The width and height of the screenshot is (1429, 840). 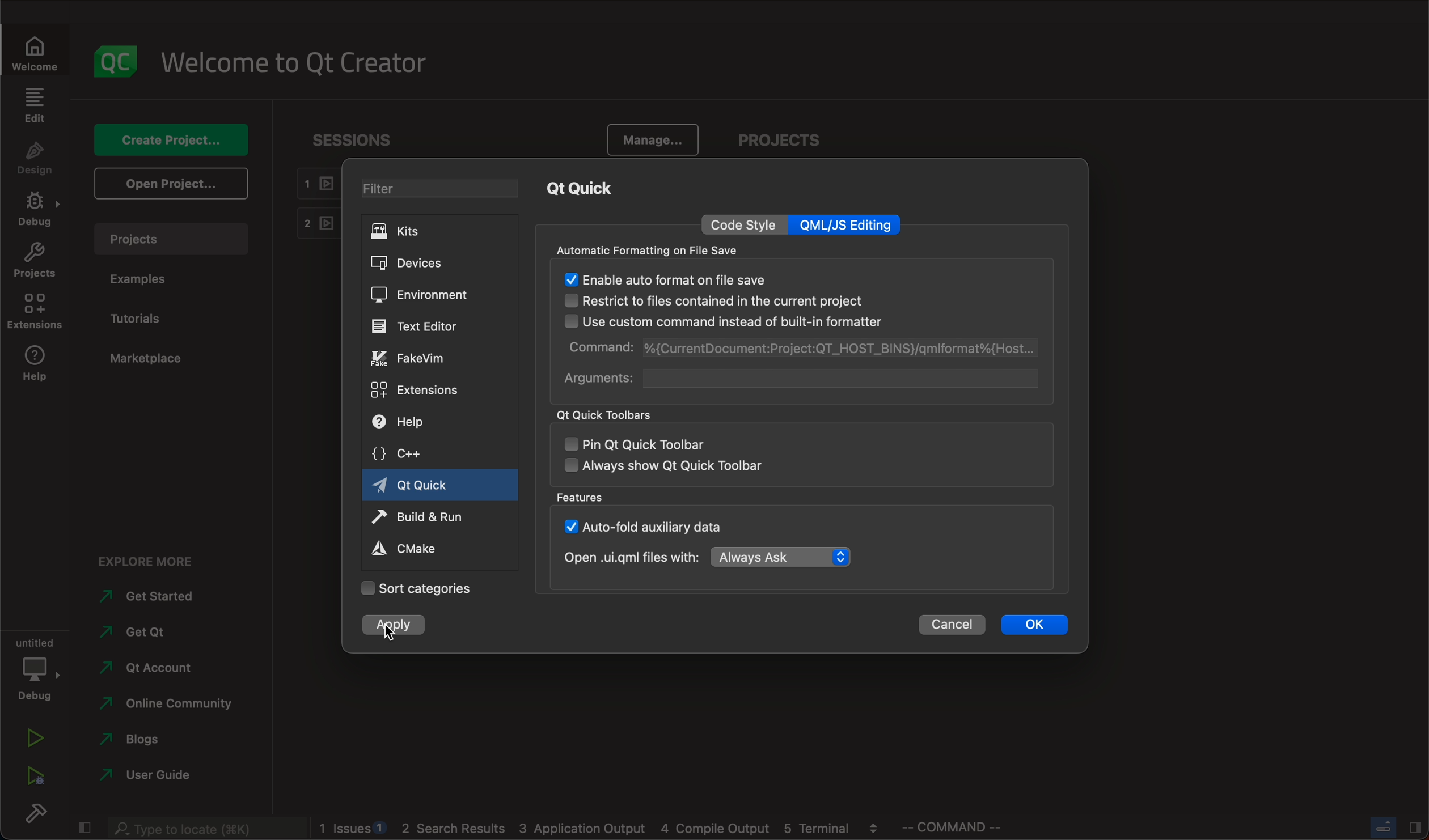 What do you see at coordinates (720, 561) in the screenshot?
I see `open with` at bounding box center [720, 561].